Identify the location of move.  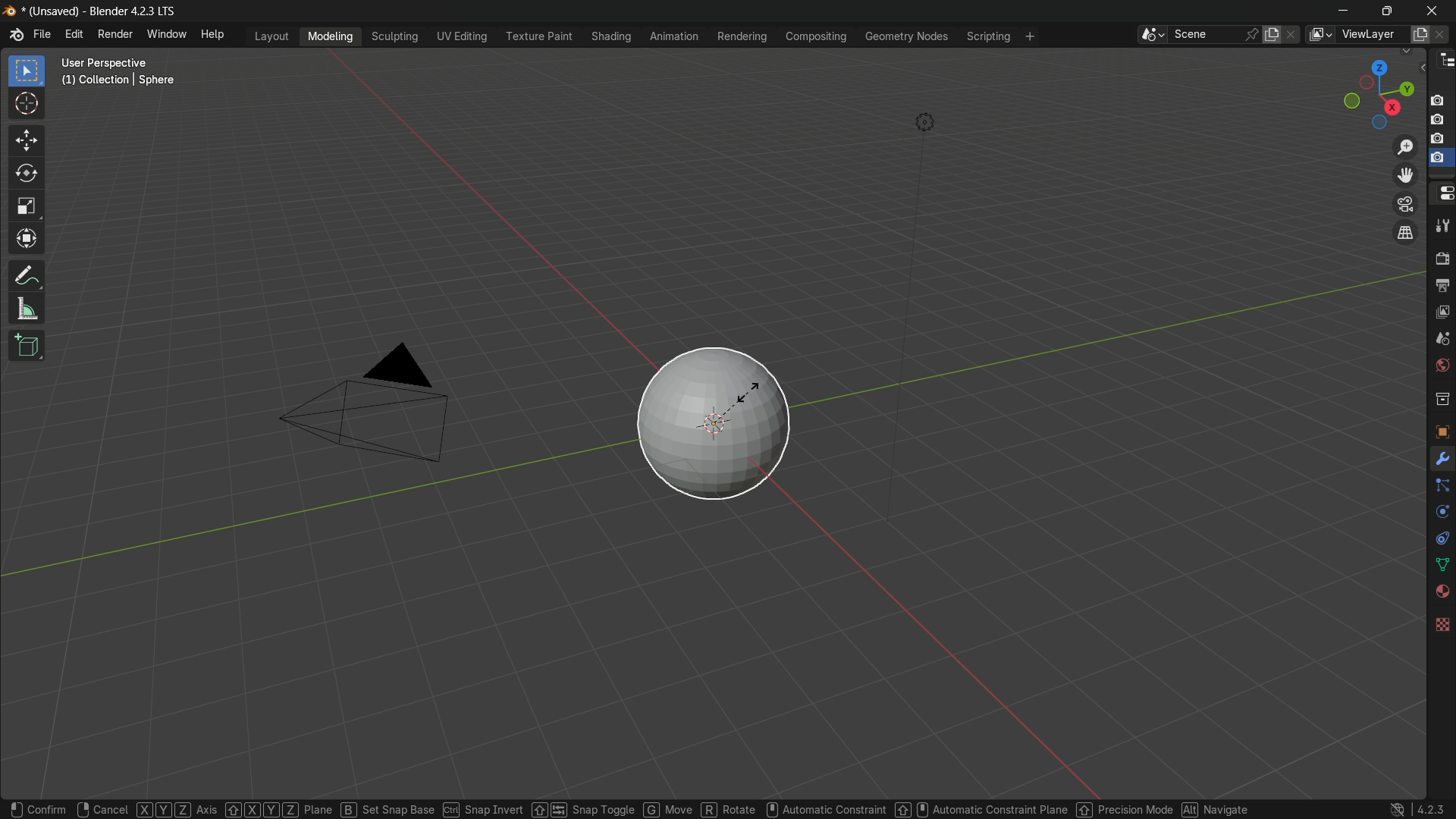
(25, 140).